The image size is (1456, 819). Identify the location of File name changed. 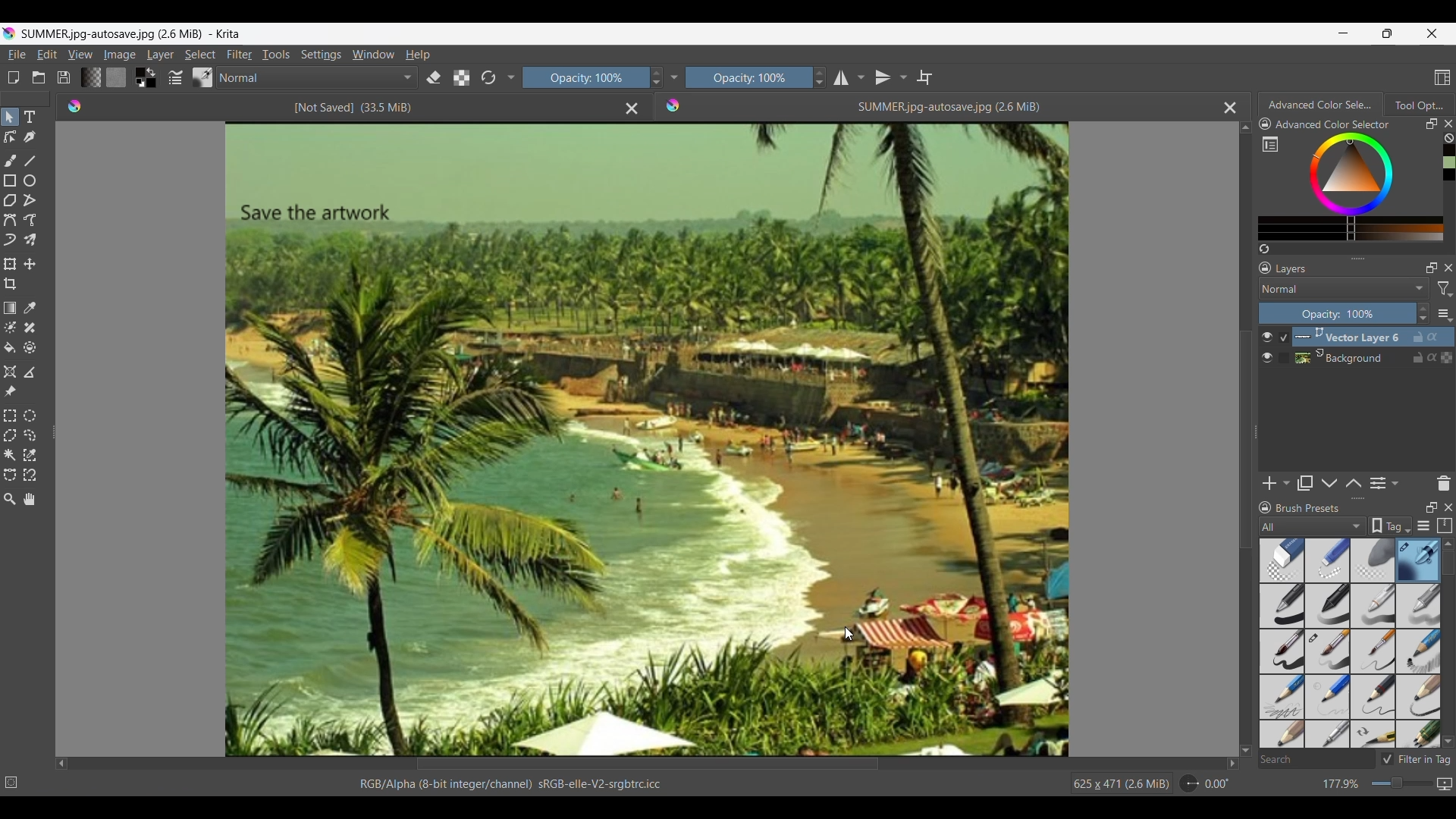
(863, 105).